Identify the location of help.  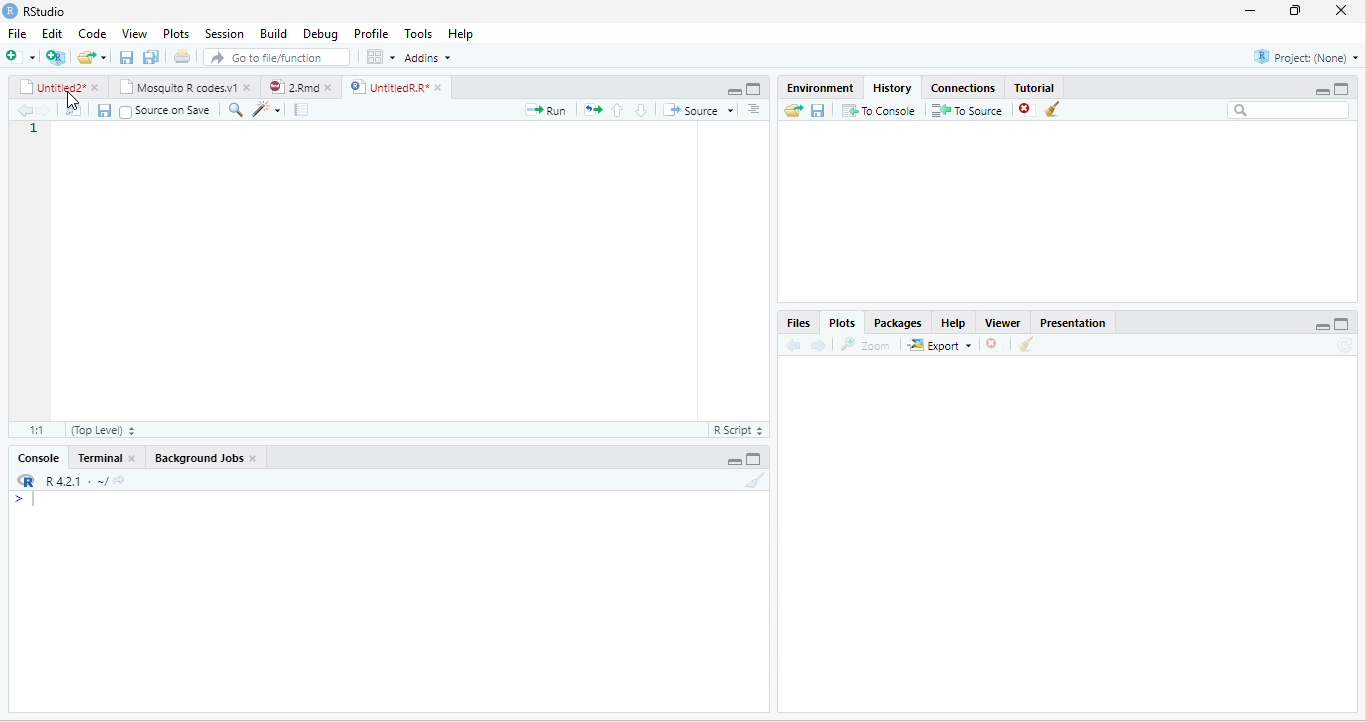
(468, 34).